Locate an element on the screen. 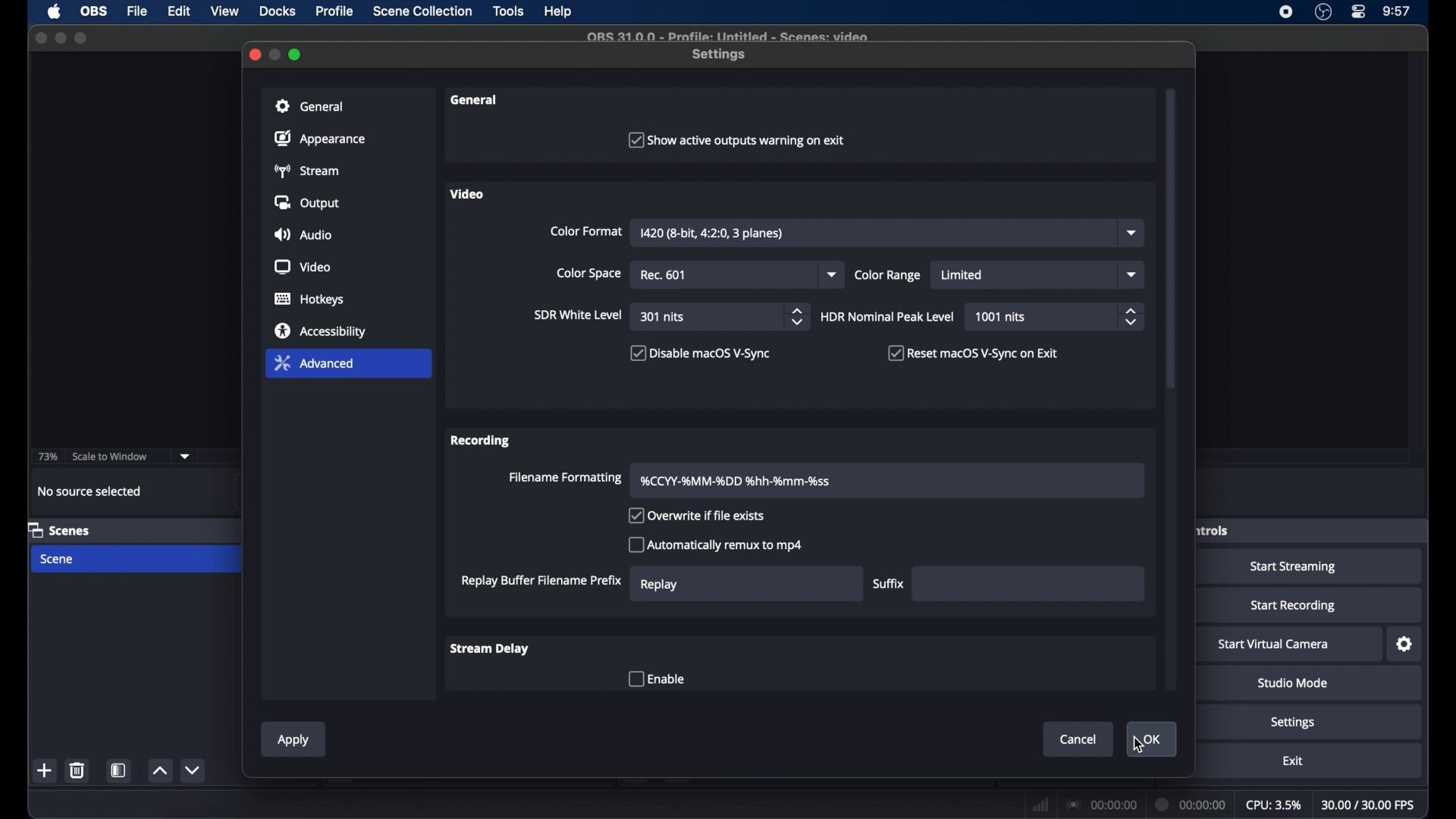 This screenshot has height=819, width=1456. recording is located at coordinates (482, 441).